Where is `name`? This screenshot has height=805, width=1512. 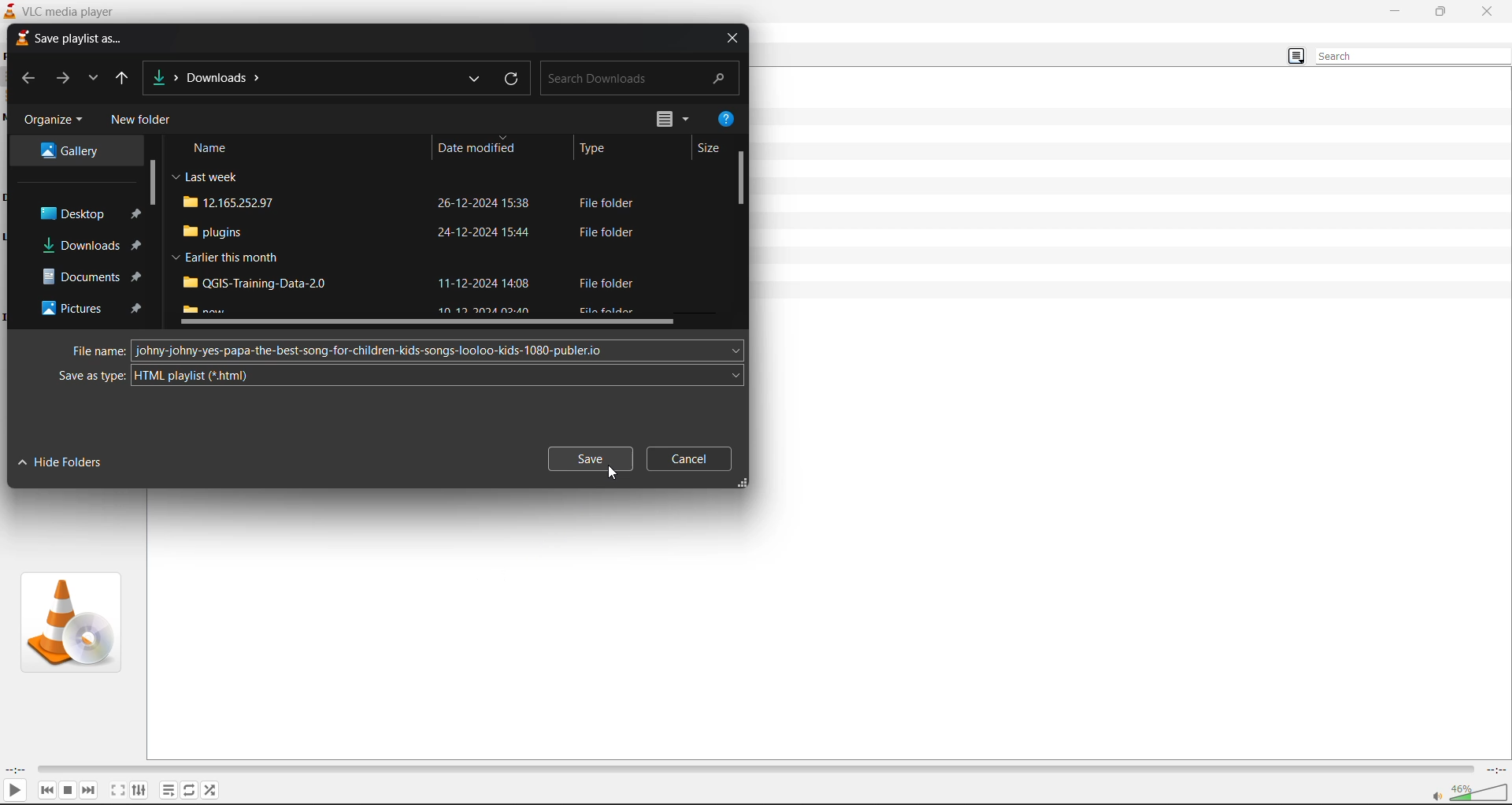 name is located at coordinates (207, 148).